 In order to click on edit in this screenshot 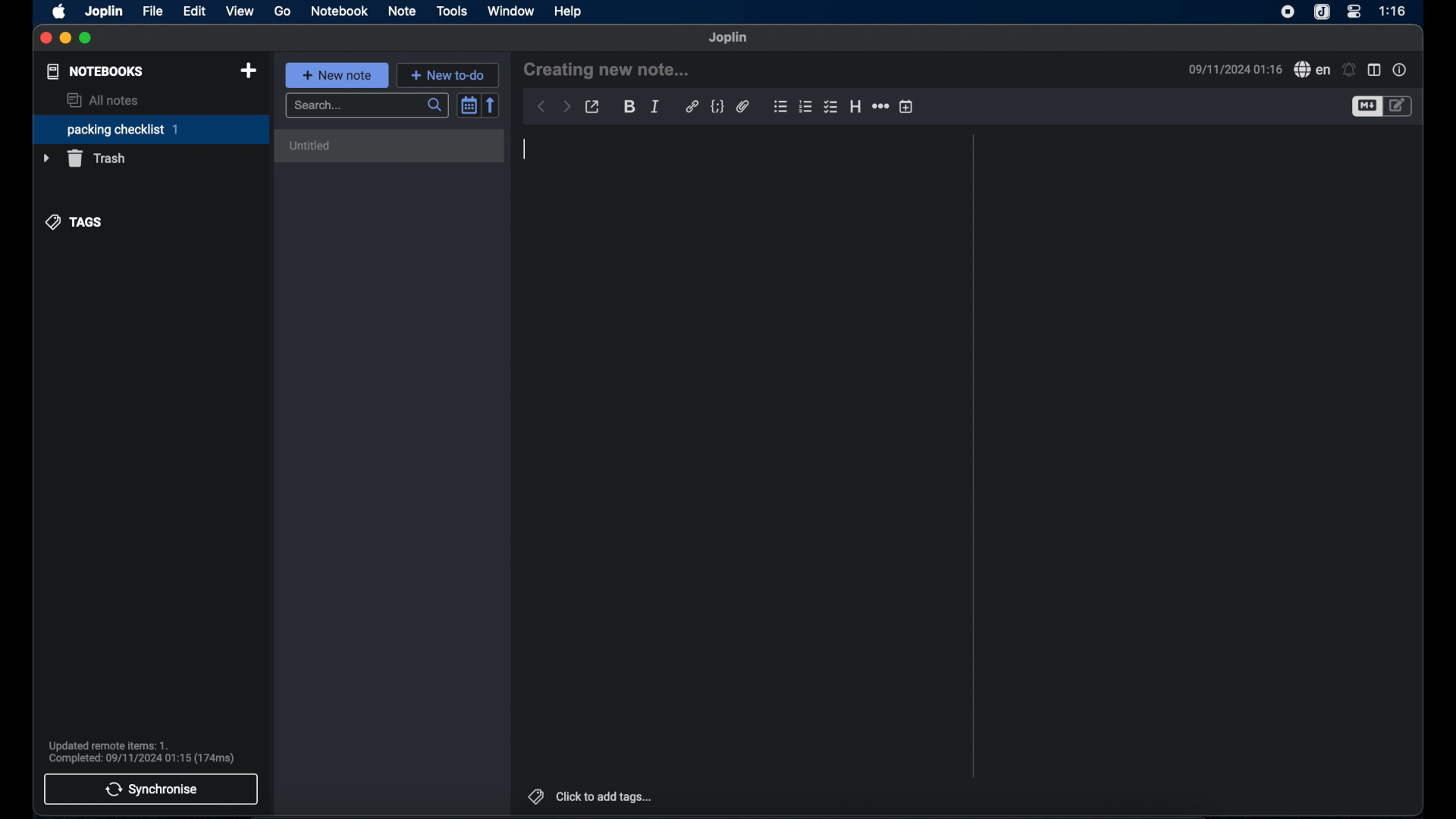, I will do `click(195, 11)`.